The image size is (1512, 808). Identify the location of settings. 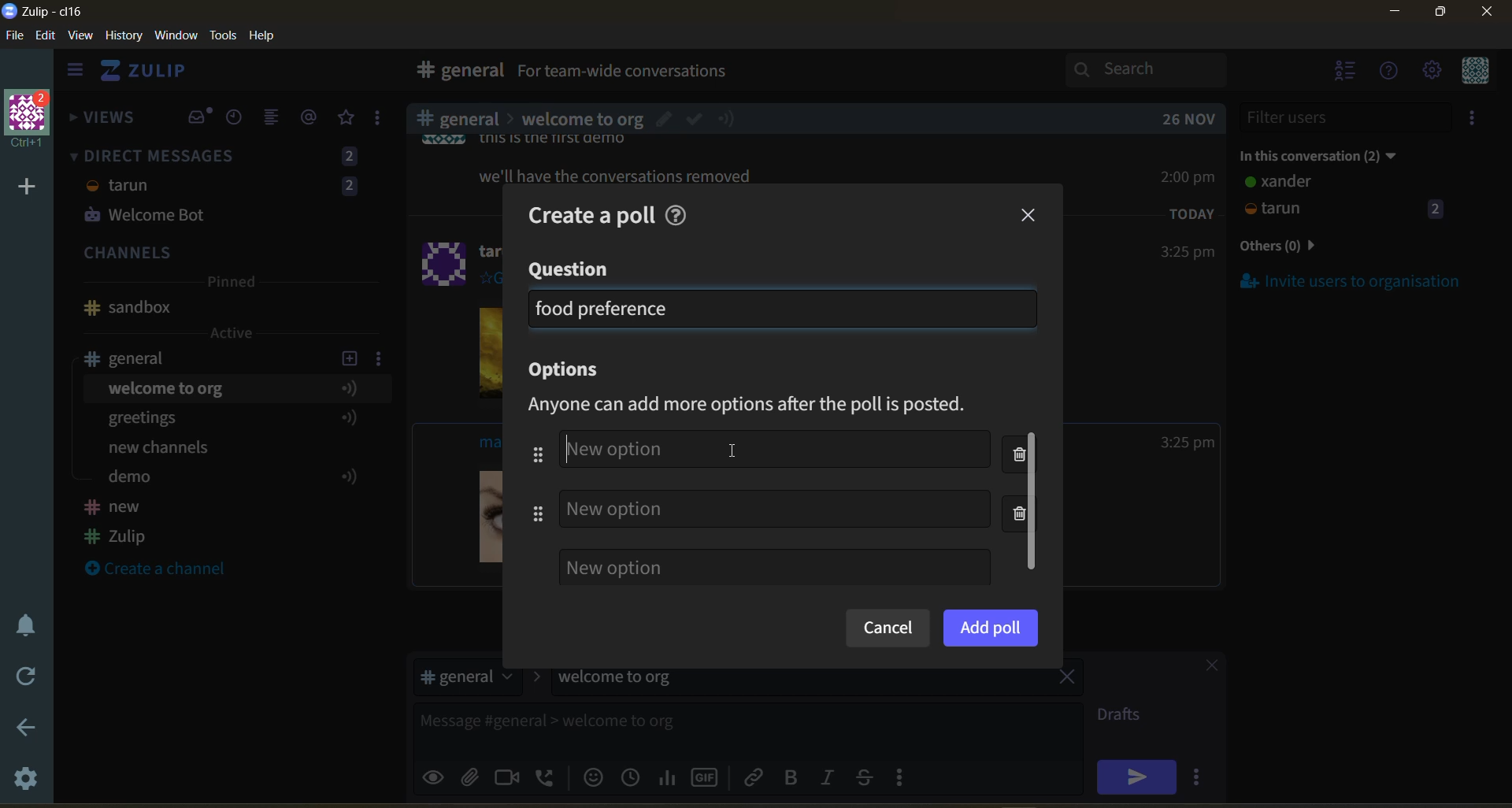
(28, 781).